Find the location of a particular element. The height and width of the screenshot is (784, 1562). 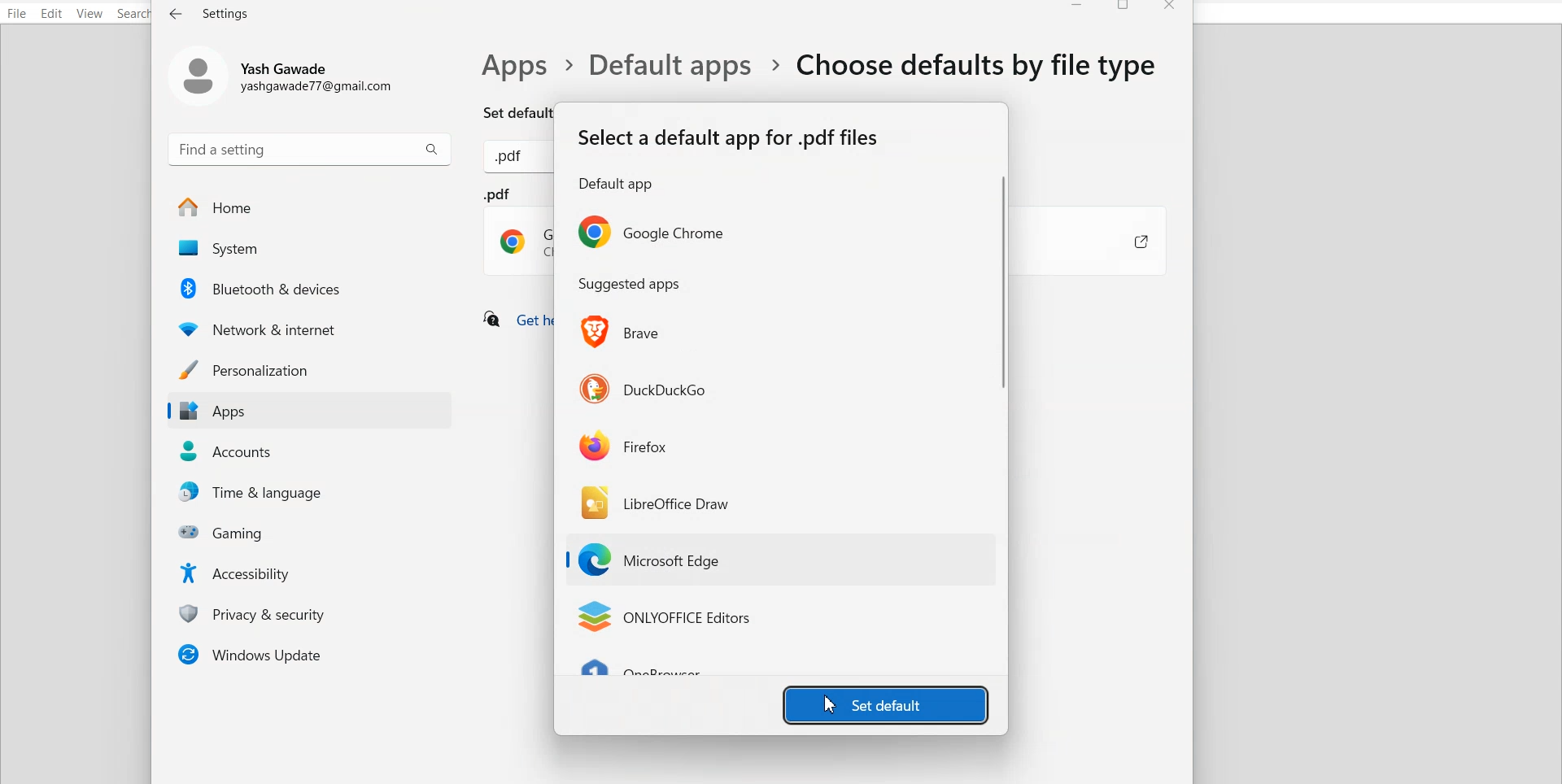

Privacy & security is located at coordinates (314, 613).